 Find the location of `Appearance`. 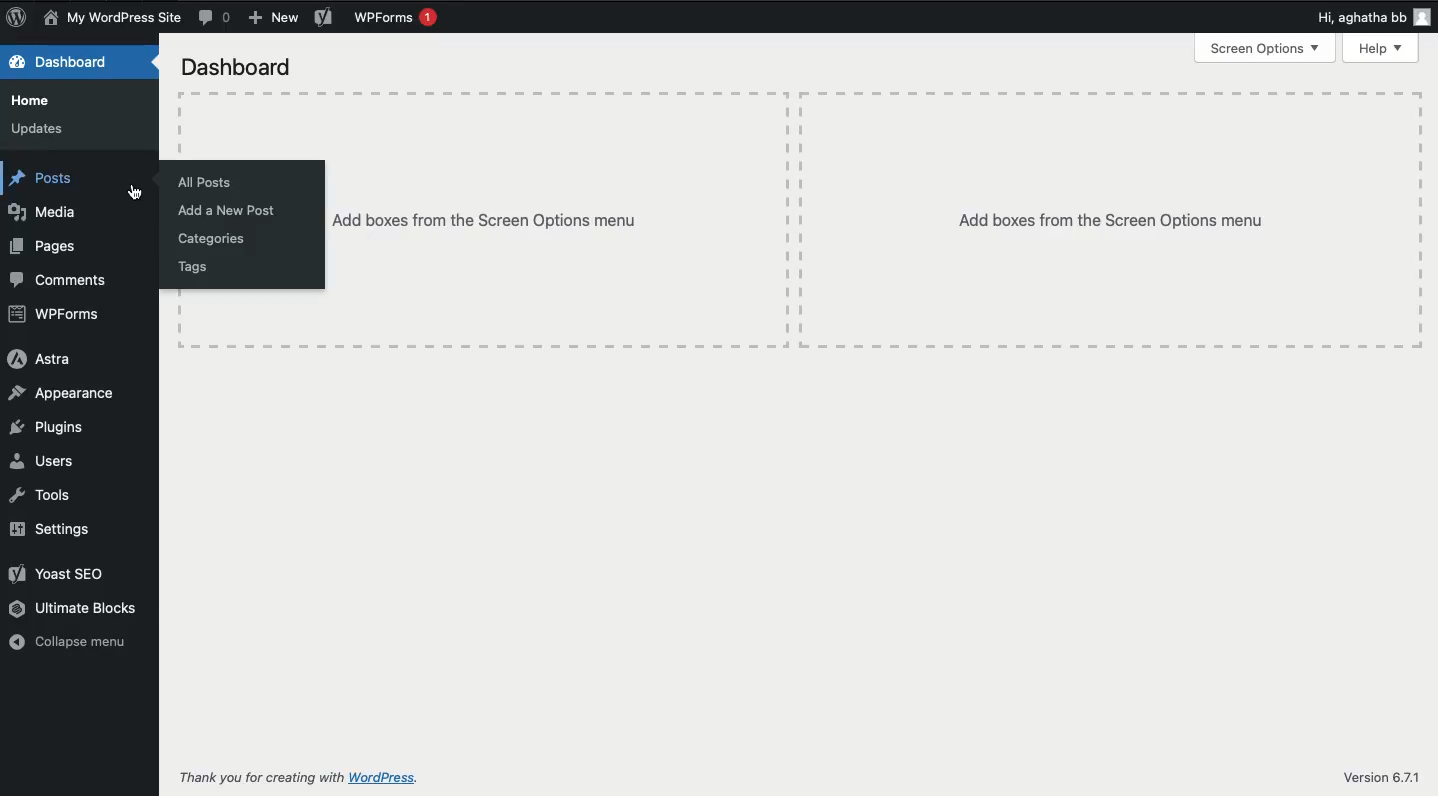

Appearance is located at coordinates (66, 396).